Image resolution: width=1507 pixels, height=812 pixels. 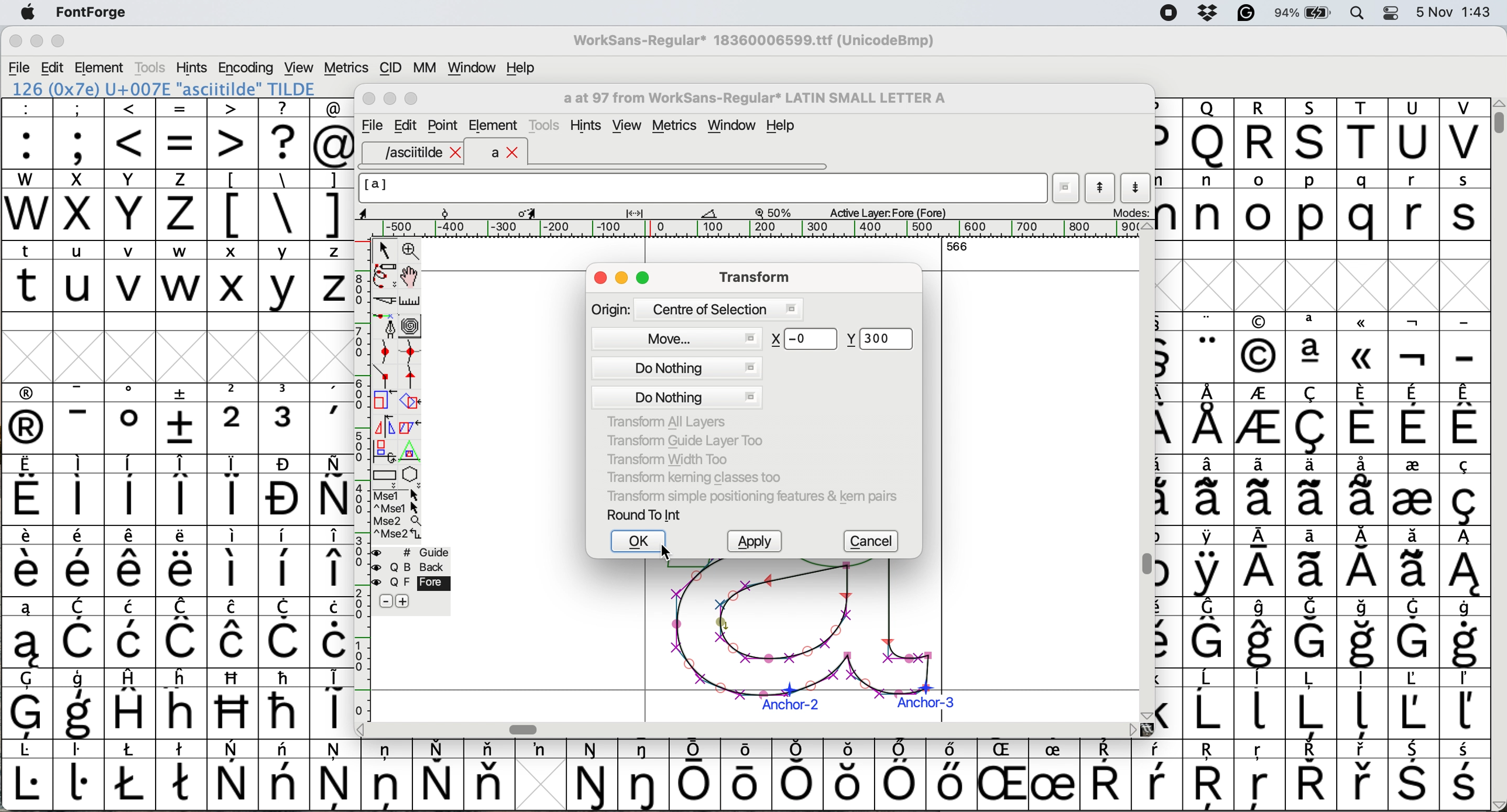 I want to click on V, so click(x=1464, y=134).